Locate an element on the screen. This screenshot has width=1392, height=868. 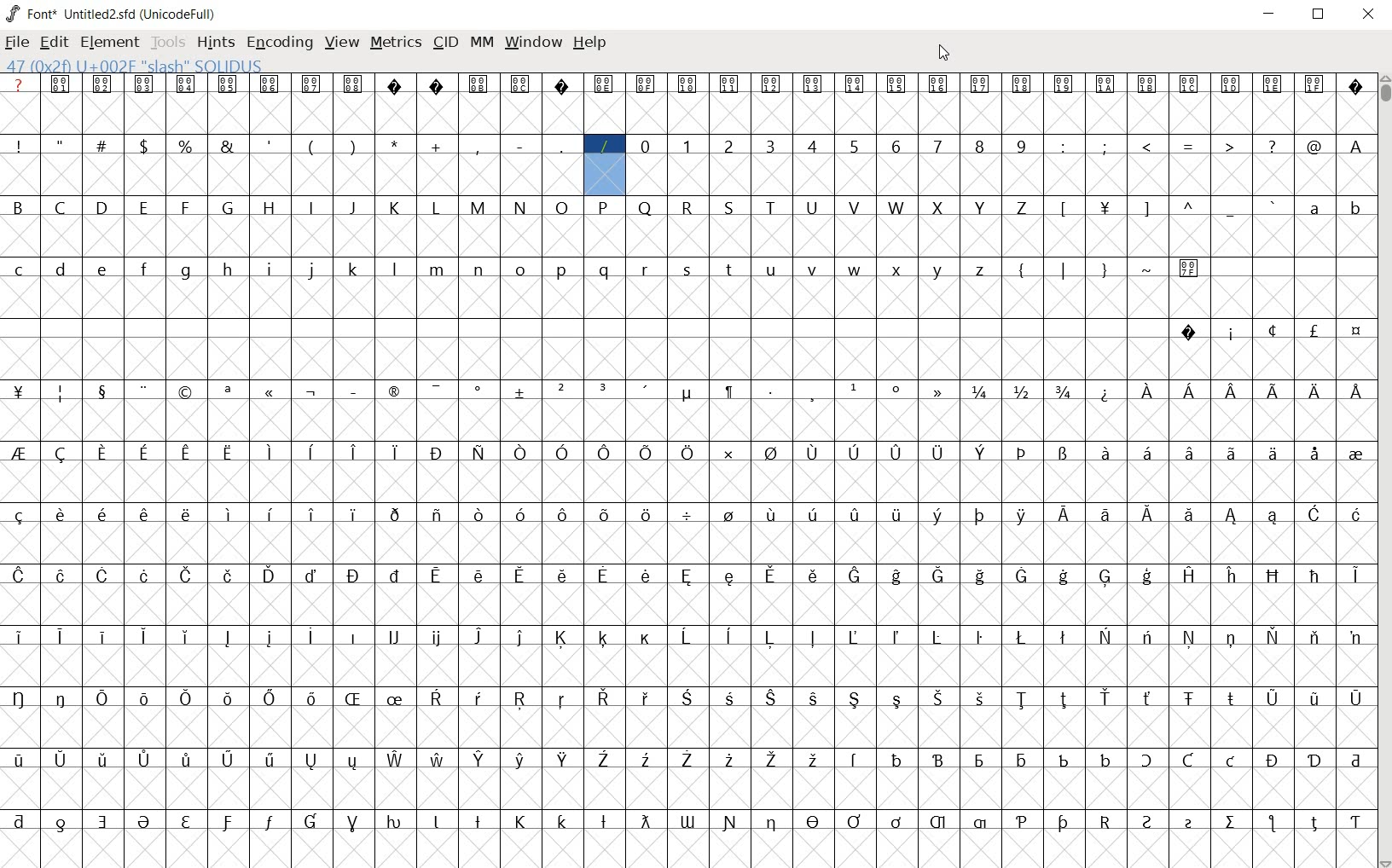
METRICS is located at coordinates (396, 41).